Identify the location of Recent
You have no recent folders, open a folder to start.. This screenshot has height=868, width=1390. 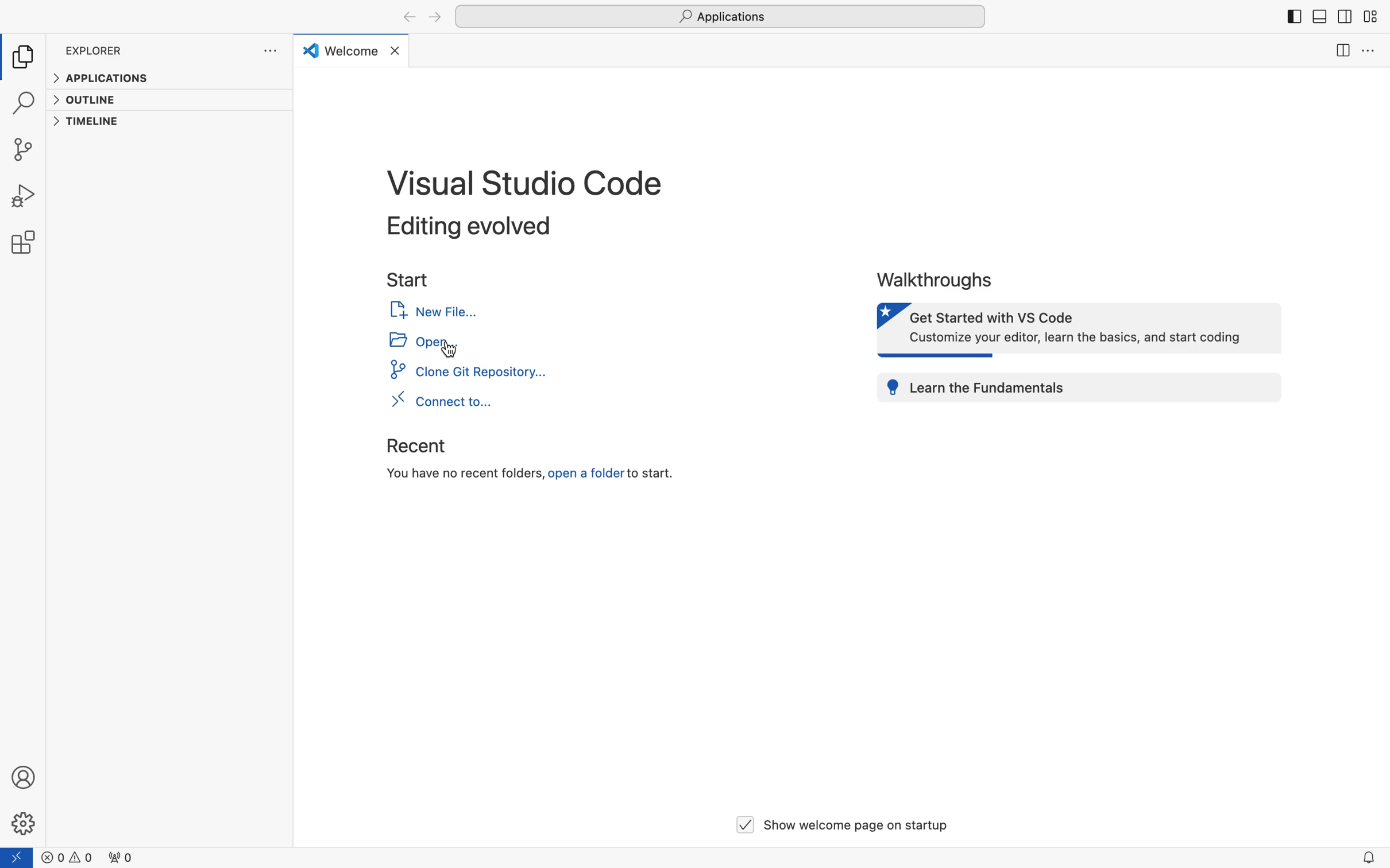
(524, 464).